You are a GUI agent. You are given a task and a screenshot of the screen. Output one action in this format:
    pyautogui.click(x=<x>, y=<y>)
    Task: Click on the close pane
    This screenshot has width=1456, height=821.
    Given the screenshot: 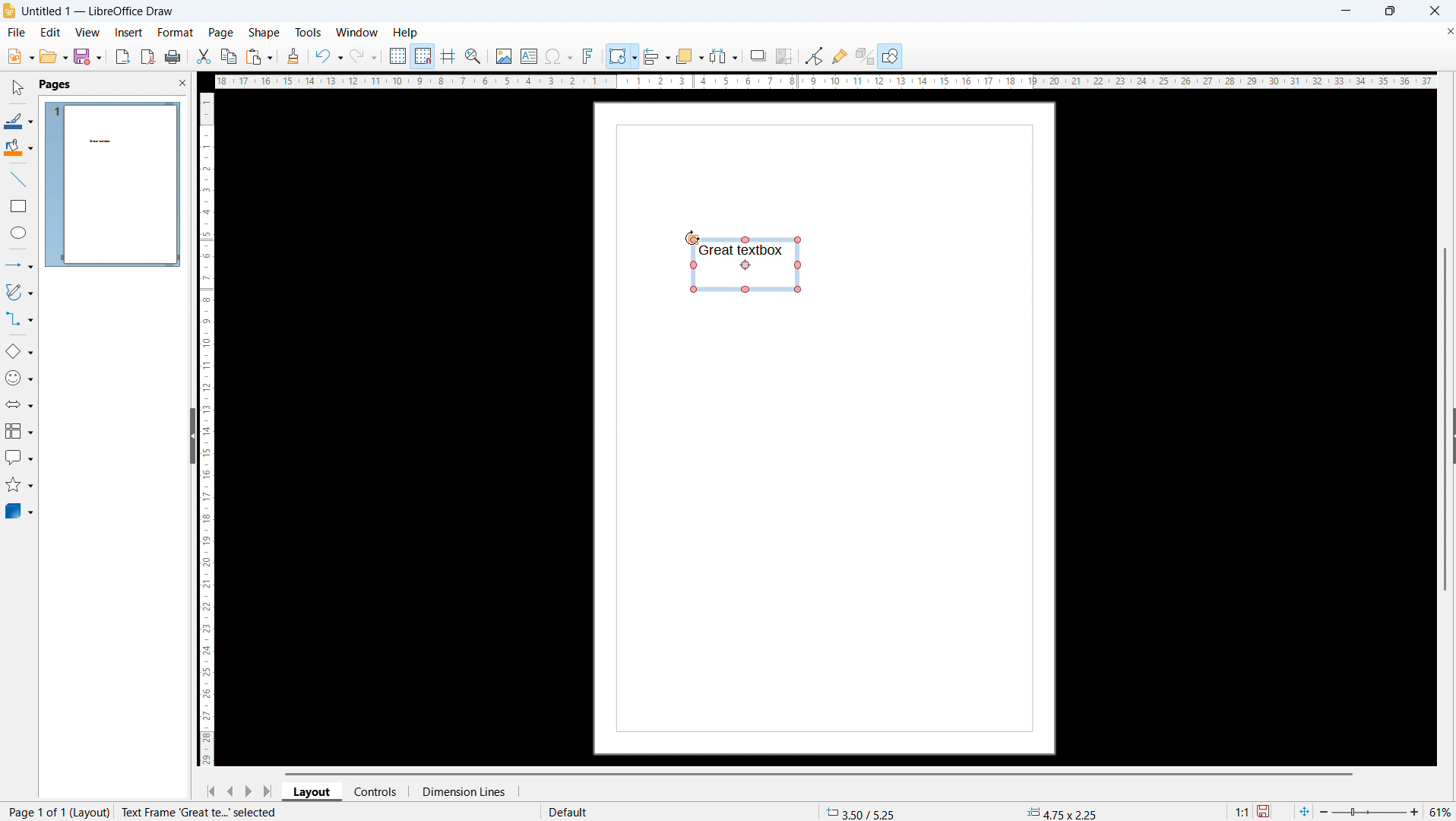 What is the action you would take?
    pyautogui.click(x=182, y=82)
    